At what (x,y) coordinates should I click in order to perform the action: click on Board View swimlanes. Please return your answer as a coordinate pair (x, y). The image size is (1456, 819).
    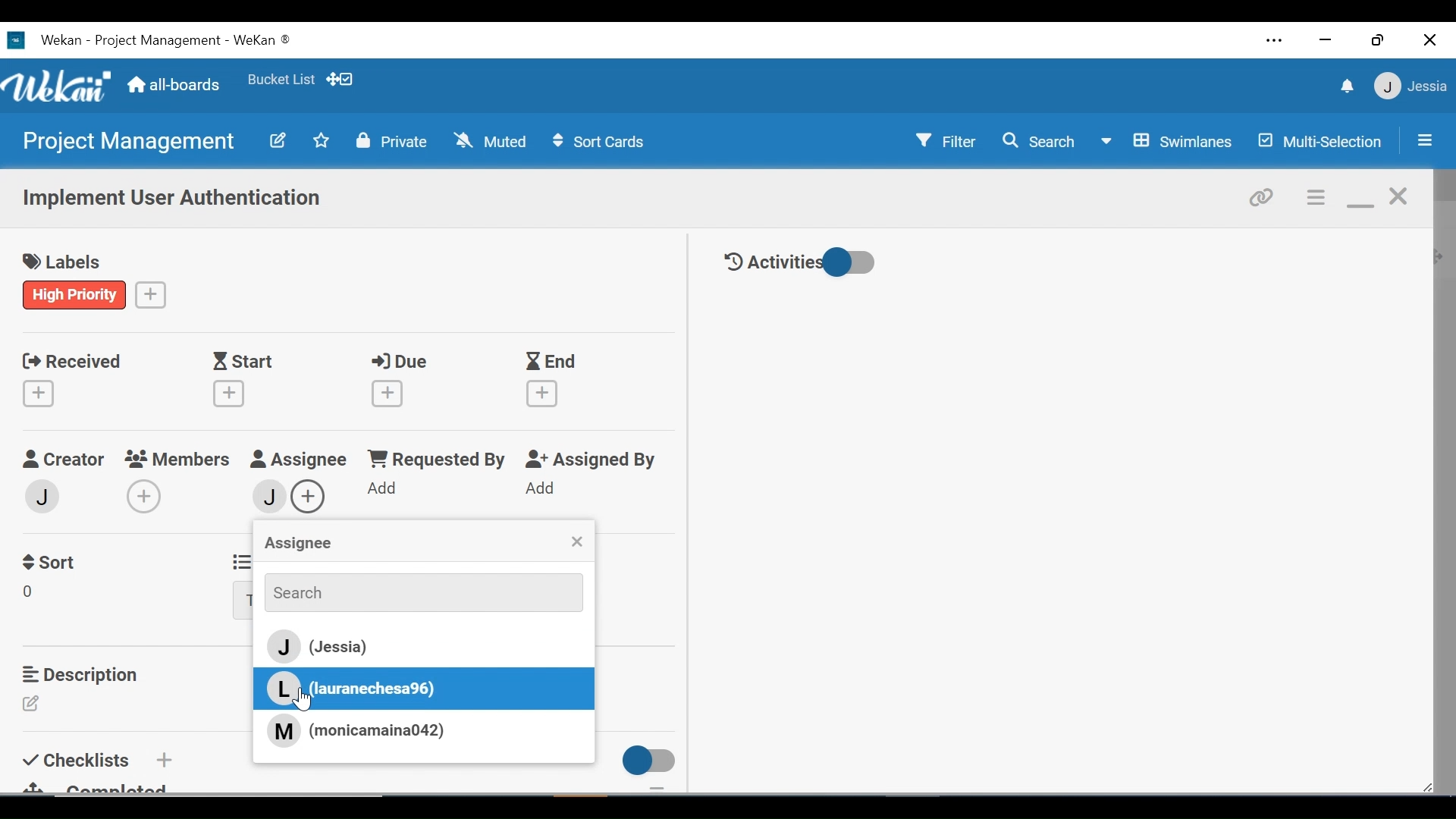
    Looking at the image, I should click on (1169, 140).